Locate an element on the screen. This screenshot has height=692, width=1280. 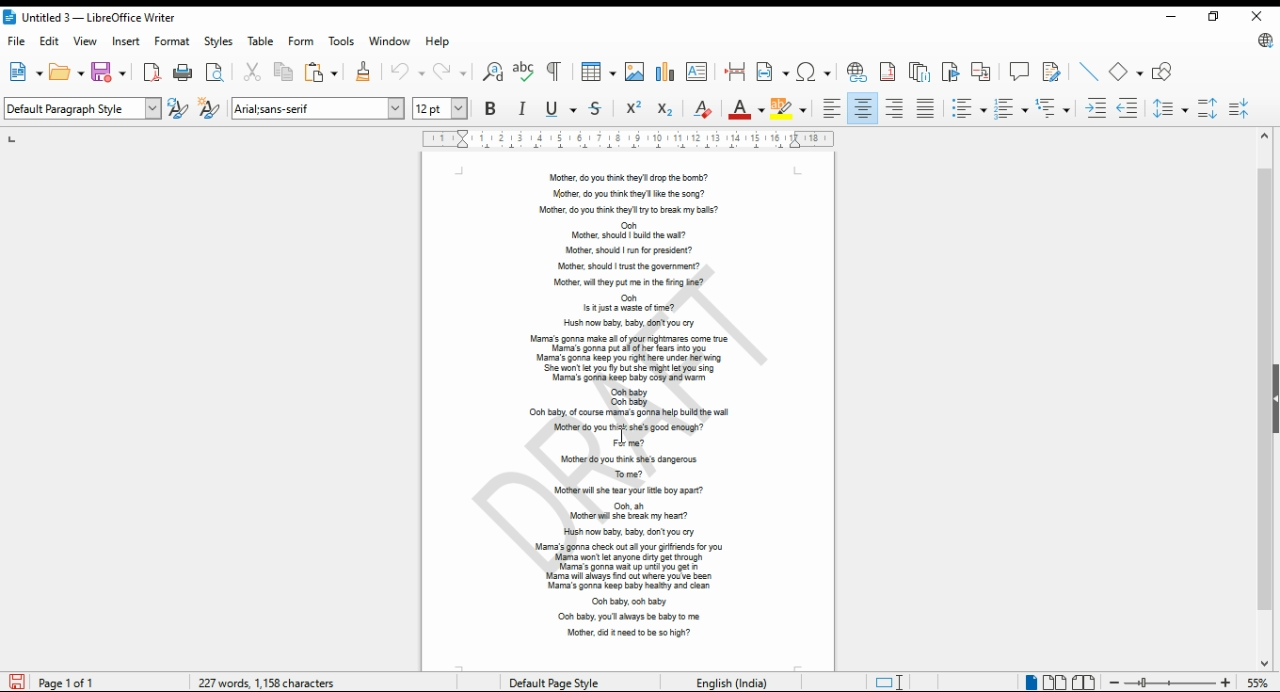
table is located at coordinates (263, 41).